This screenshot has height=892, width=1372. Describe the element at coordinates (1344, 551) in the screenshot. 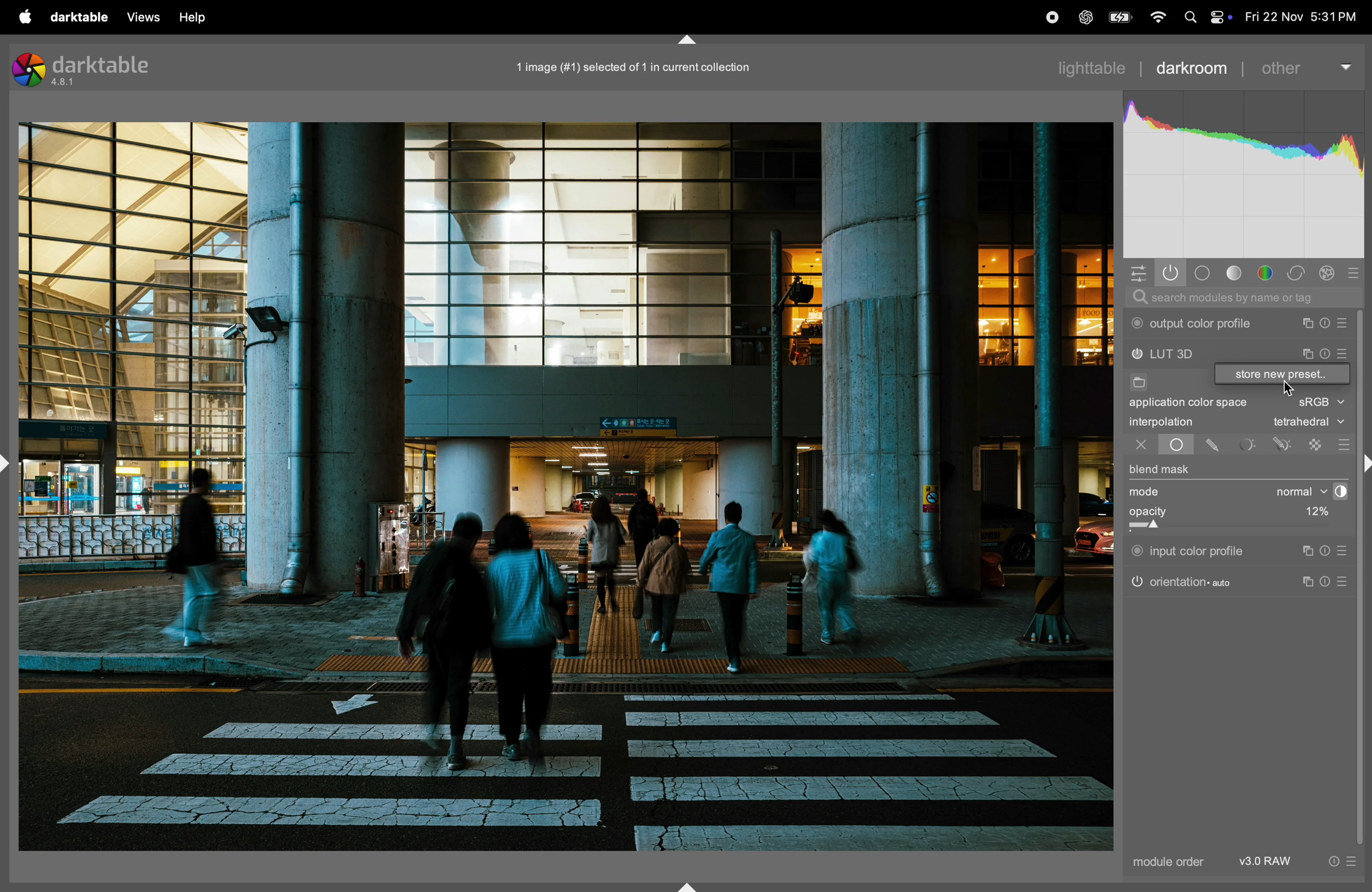

I see `presets` at that location.